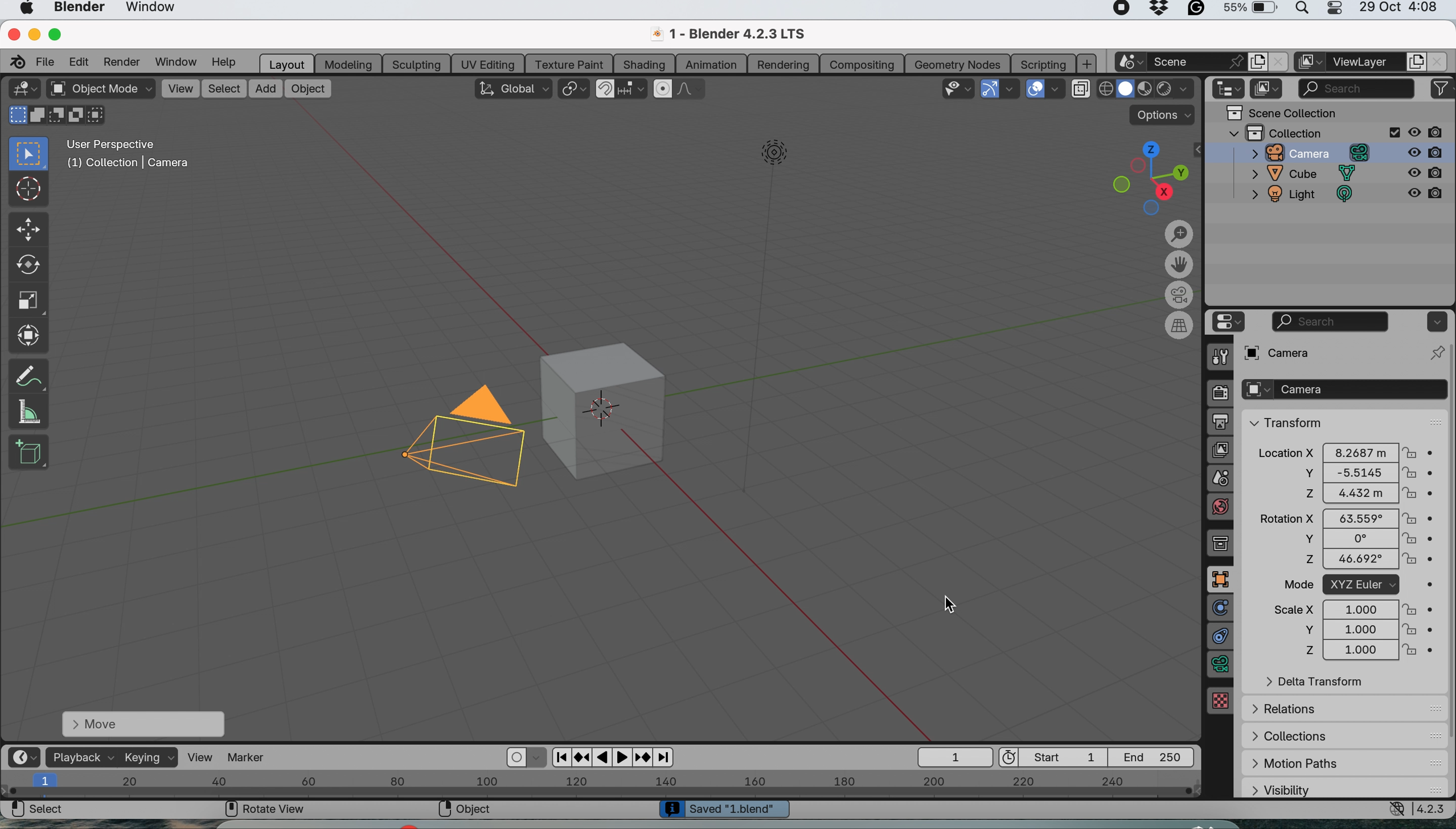 The height and width of the screenshot is (829, 1456). Describe the element at coordinates (692, 91) in the screenshot. I see `proportional editing falloff` at that location.